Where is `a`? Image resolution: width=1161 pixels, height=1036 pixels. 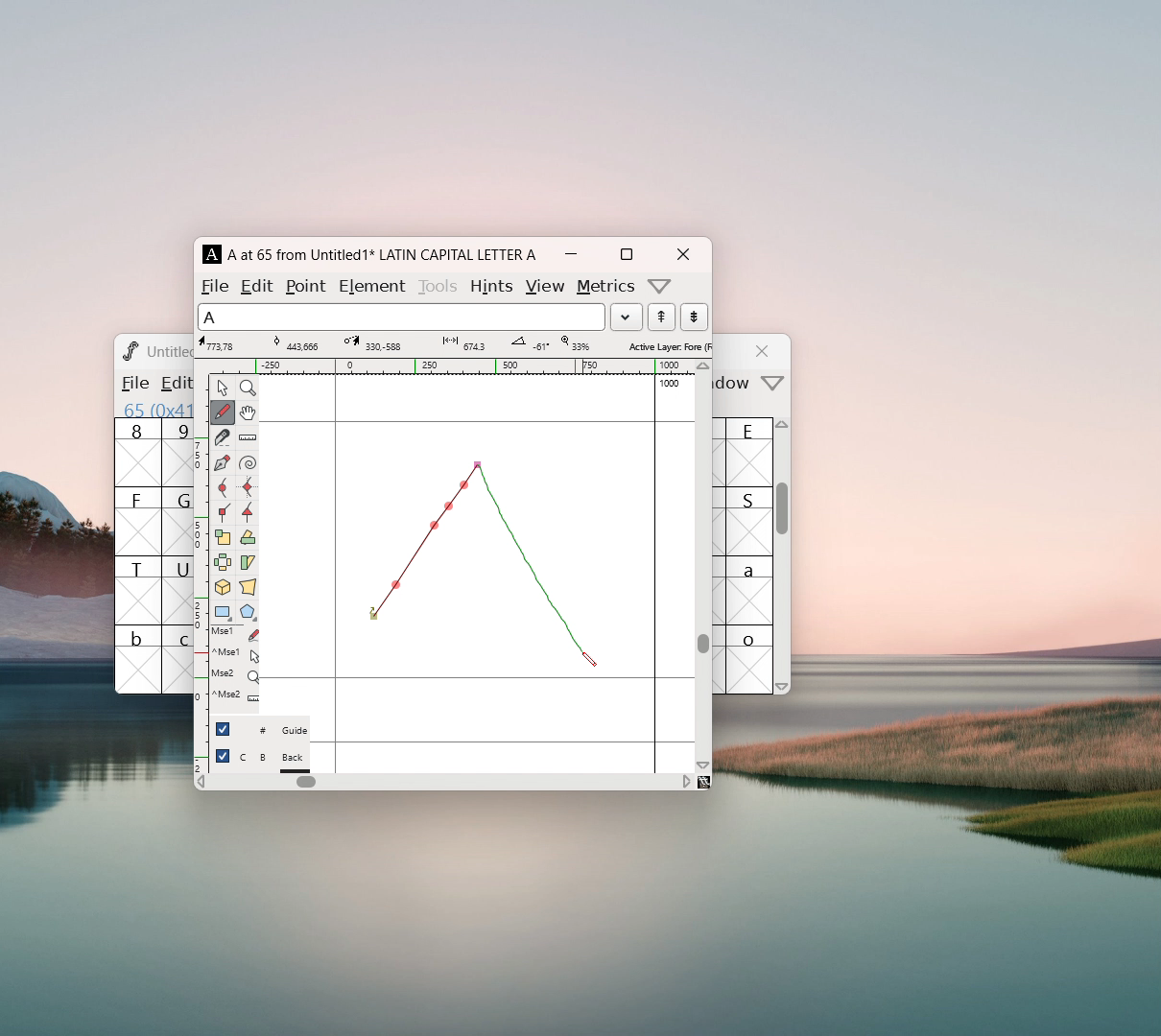
a is located at coordinates (750, 590).